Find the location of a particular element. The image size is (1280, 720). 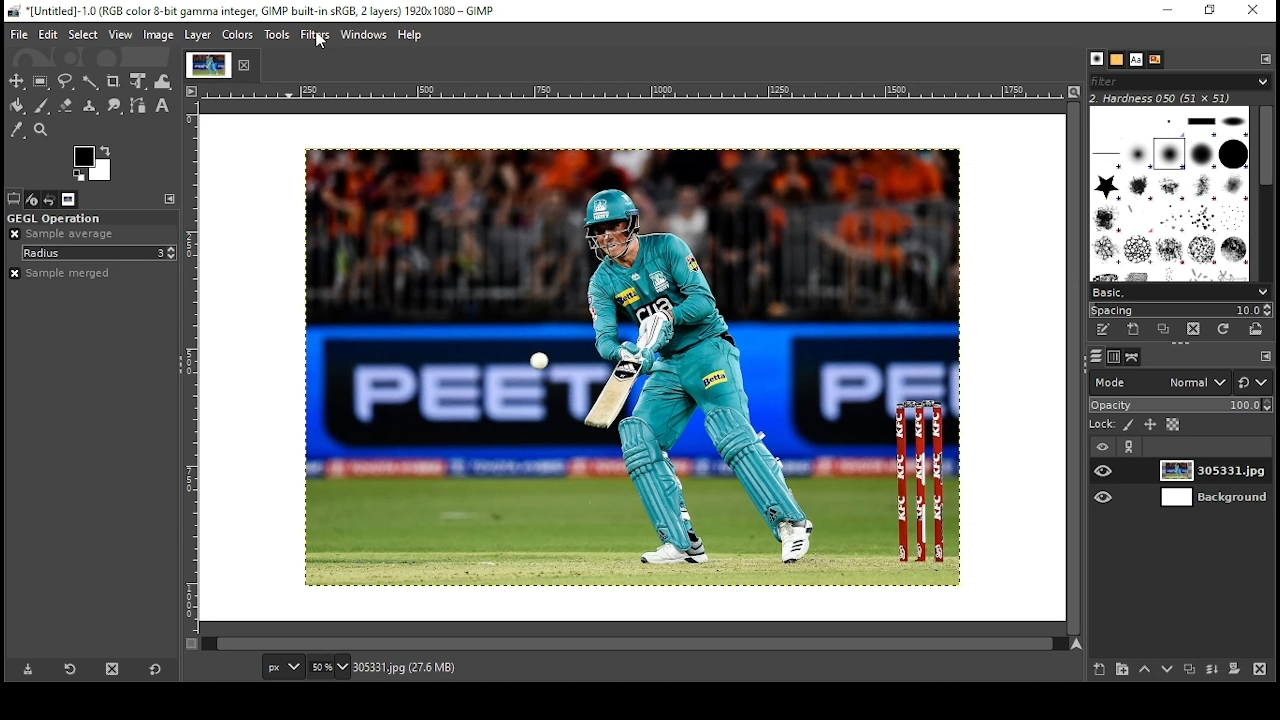

view is located at coordinates (120, 34).